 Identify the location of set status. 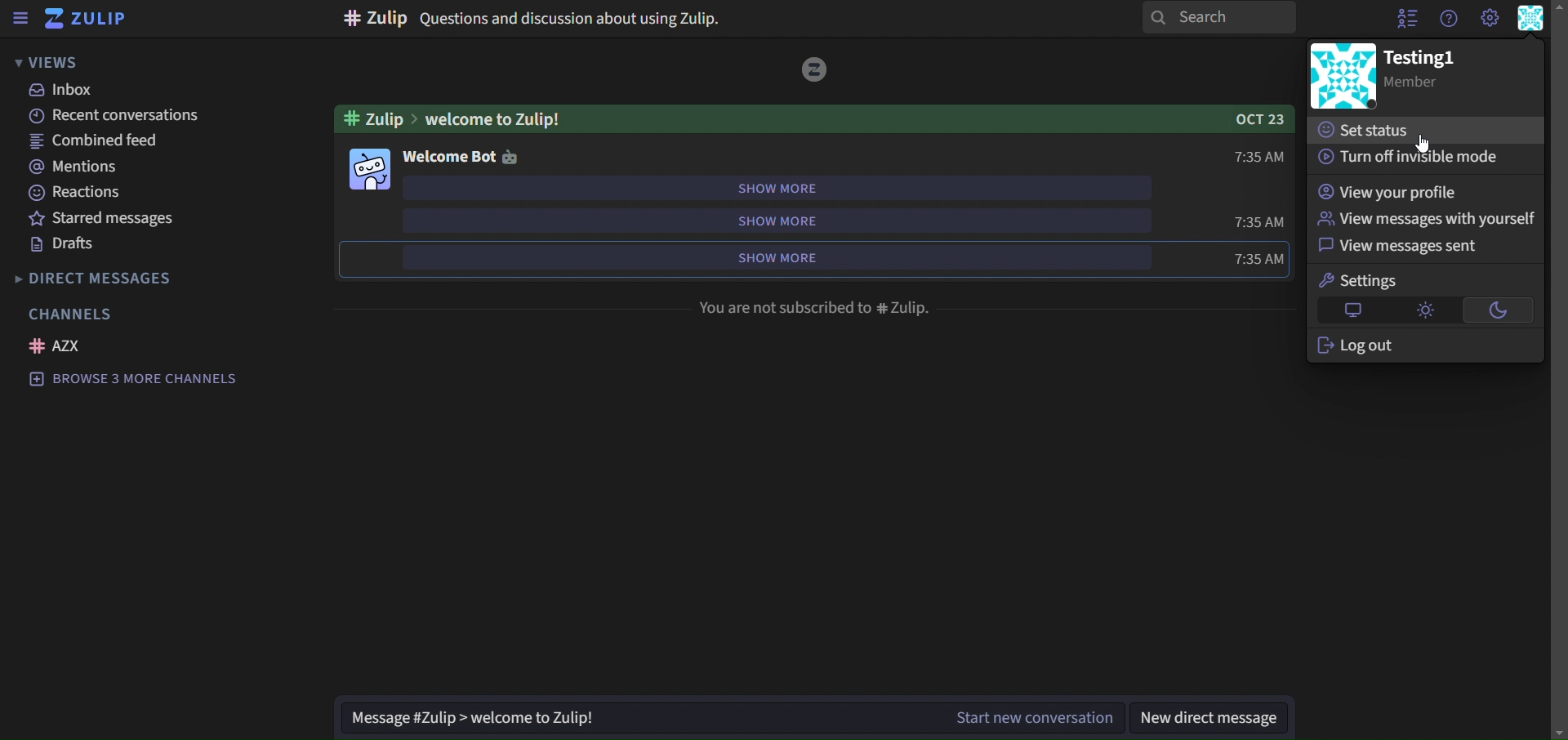
(1369, 127).